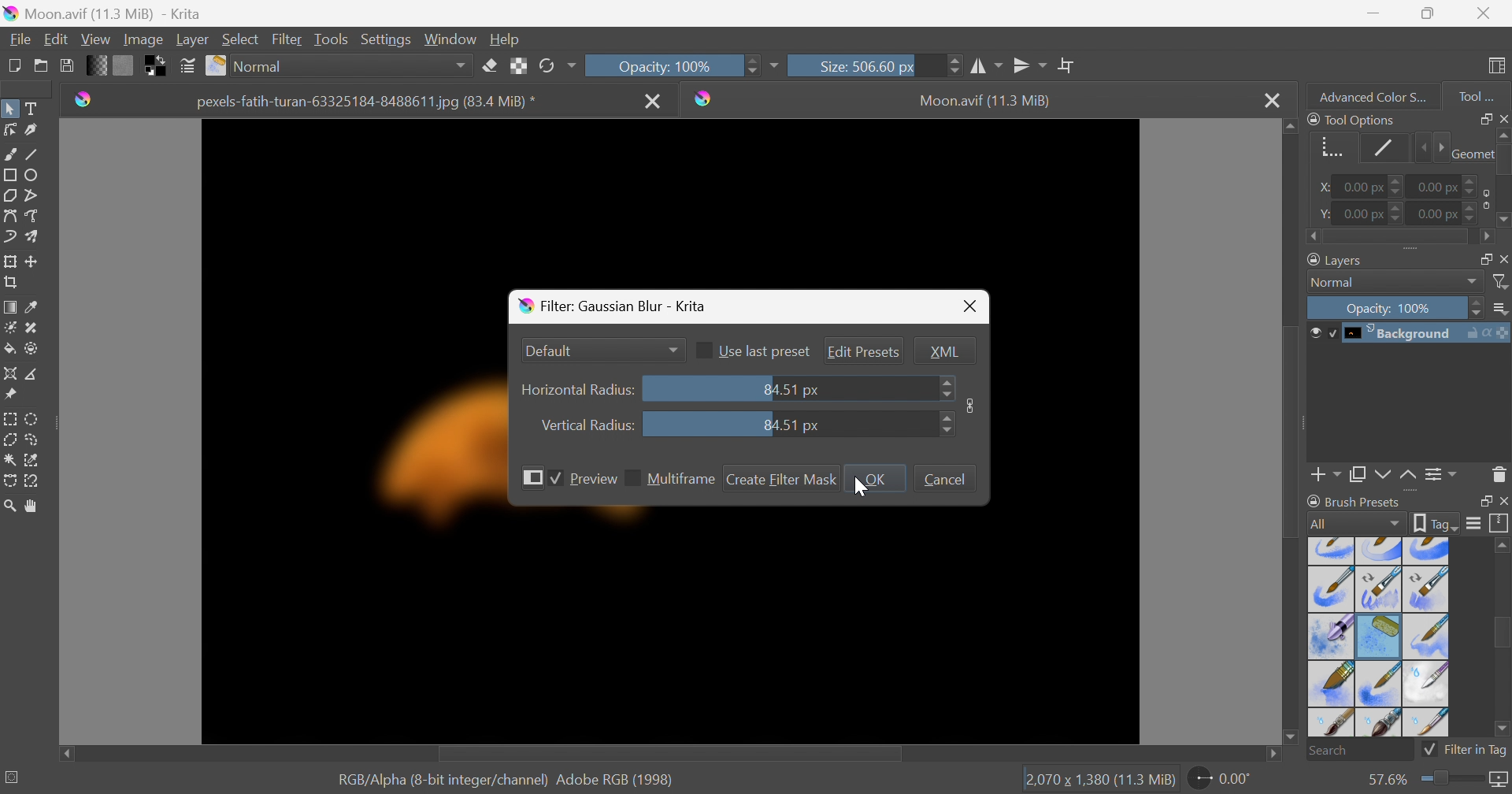  I want to click on Previous, so click(1419, 148).